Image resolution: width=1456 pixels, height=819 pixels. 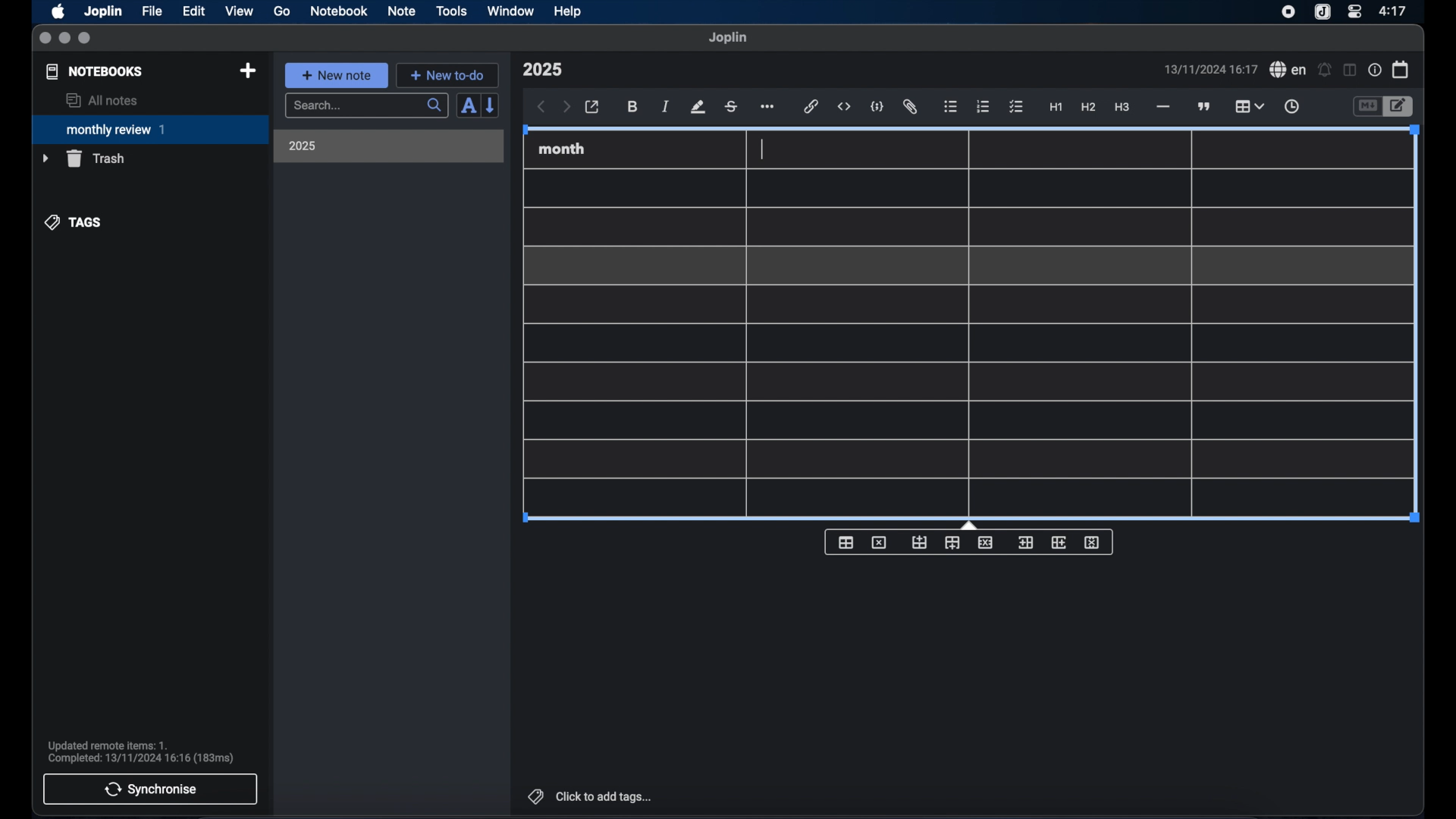 I want to click on bulleted list, so click(x=950, y=107).